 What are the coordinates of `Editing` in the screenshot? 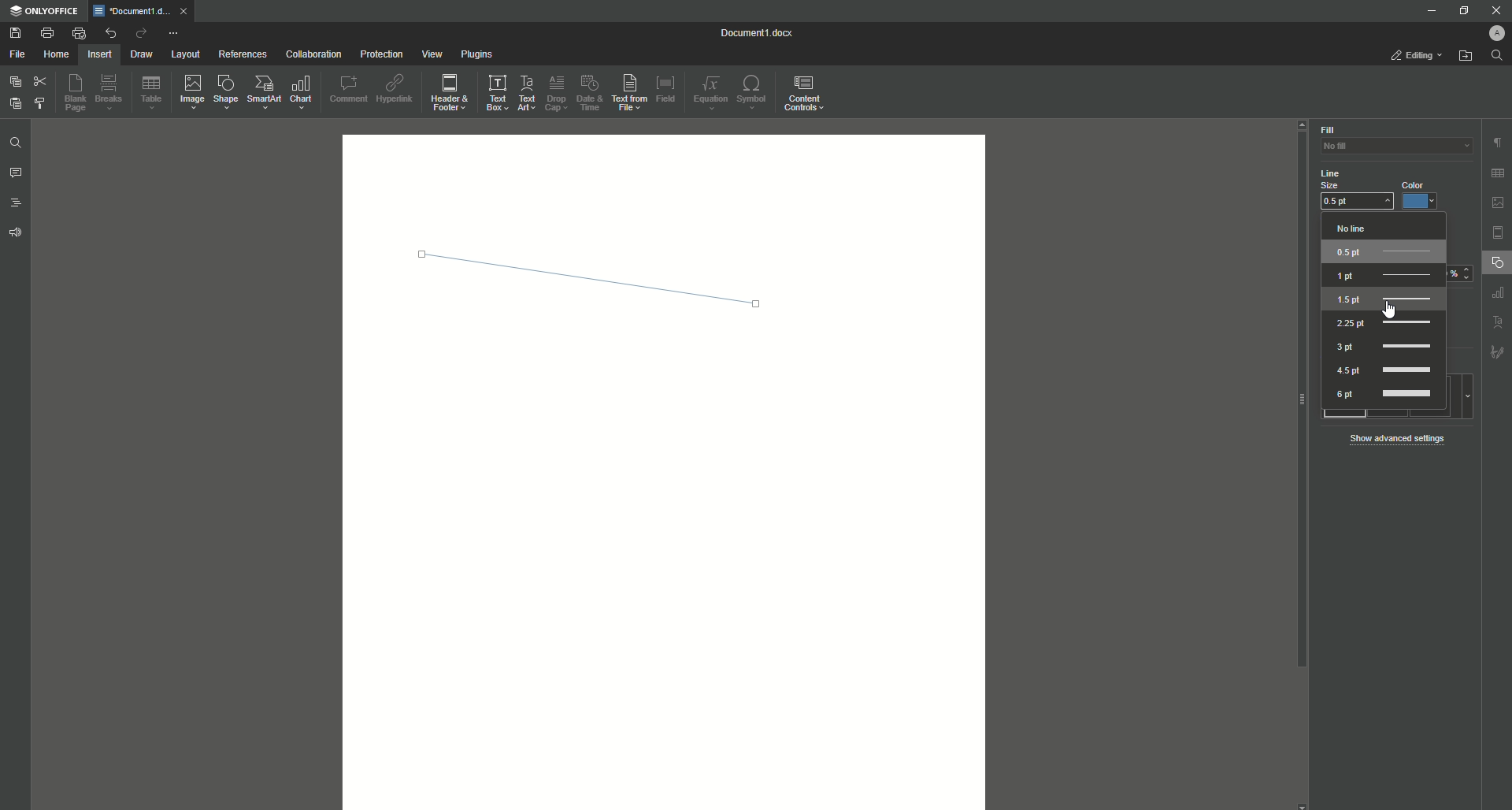 It's located at (1412, 56).